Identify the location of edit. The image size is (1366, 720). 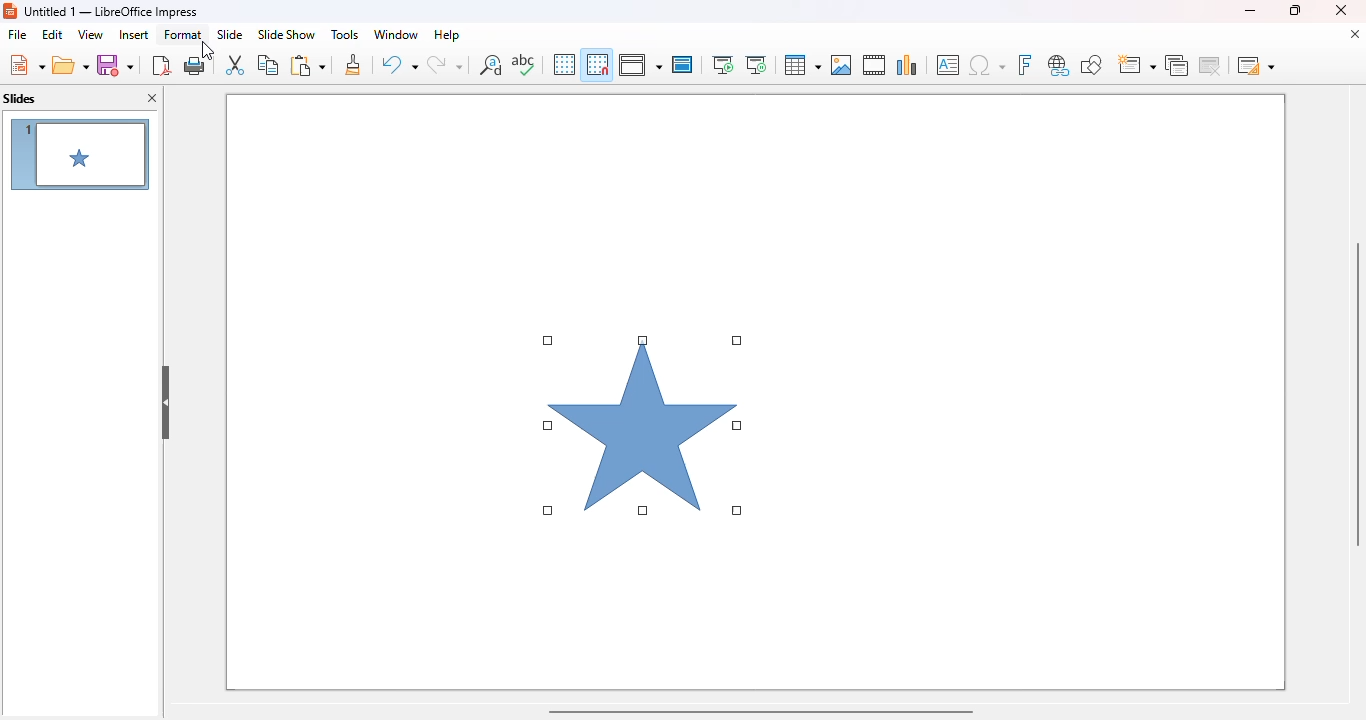
(52, 34).